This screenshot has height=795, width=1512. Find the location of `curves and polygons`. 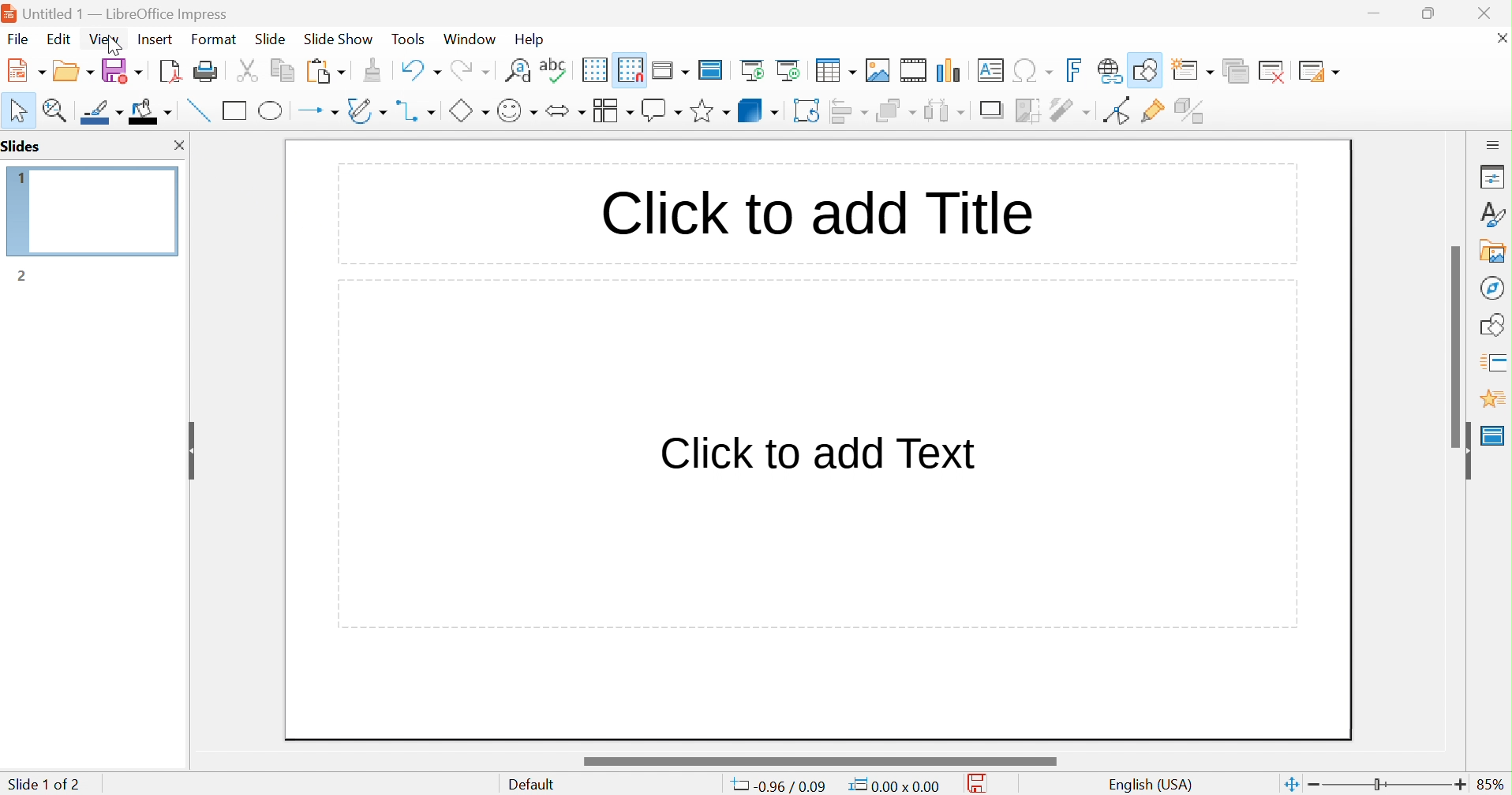

curves and polygons is located at coordinates (366, 110).